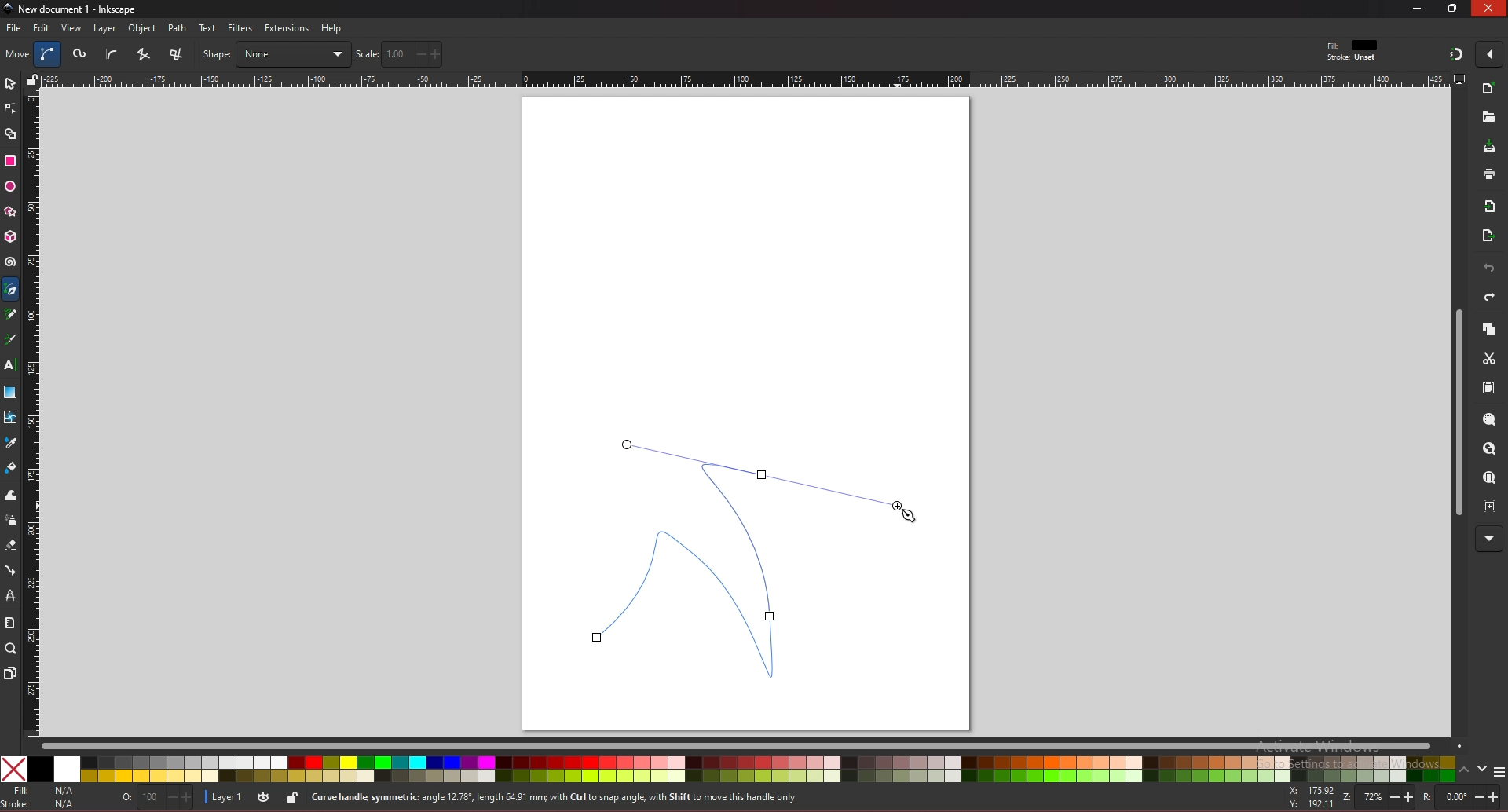 This screenshot has height=812, width=1508. I want to click on zoom drawing, so click(1488, 449).